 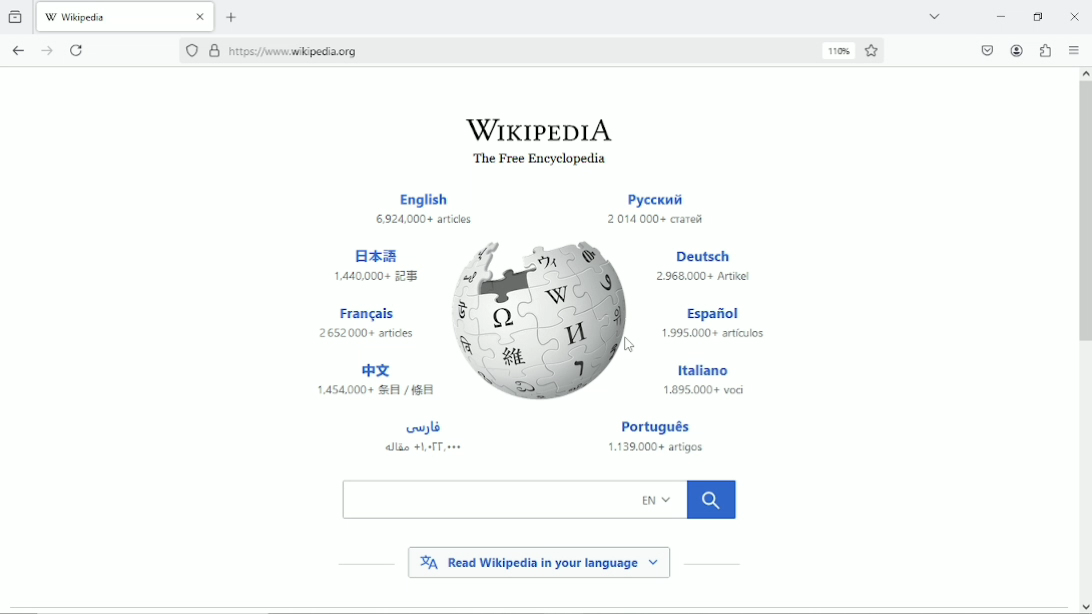 What do you see at coordinates (663, 438) in the screenshot?
I see `Portugués
1.139.000+ artigos` at bounding box center [663, 438].